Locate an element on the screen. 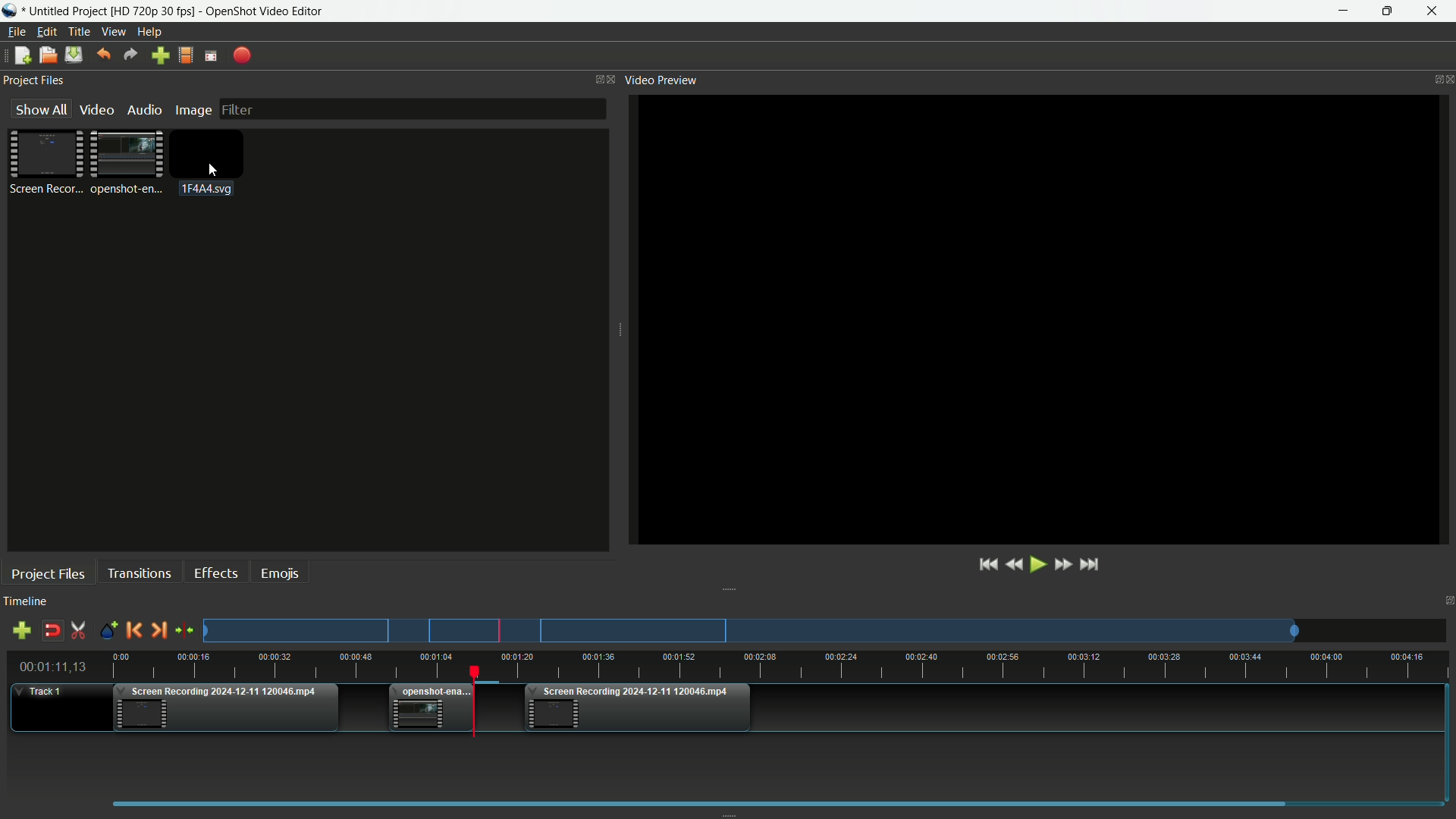  minimize is located at coordinates (1348, 11).